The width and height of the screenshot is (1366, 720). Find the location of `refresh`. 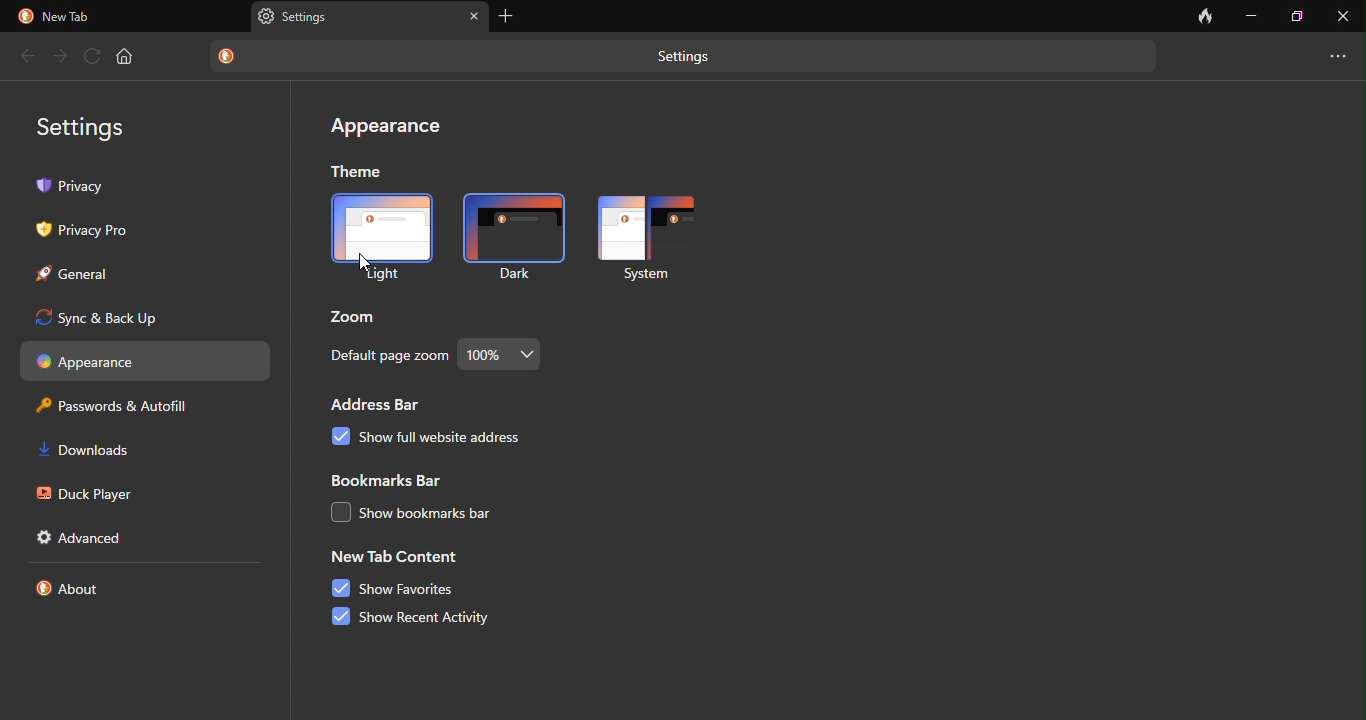

refresh is located at coordinates (91, 55).